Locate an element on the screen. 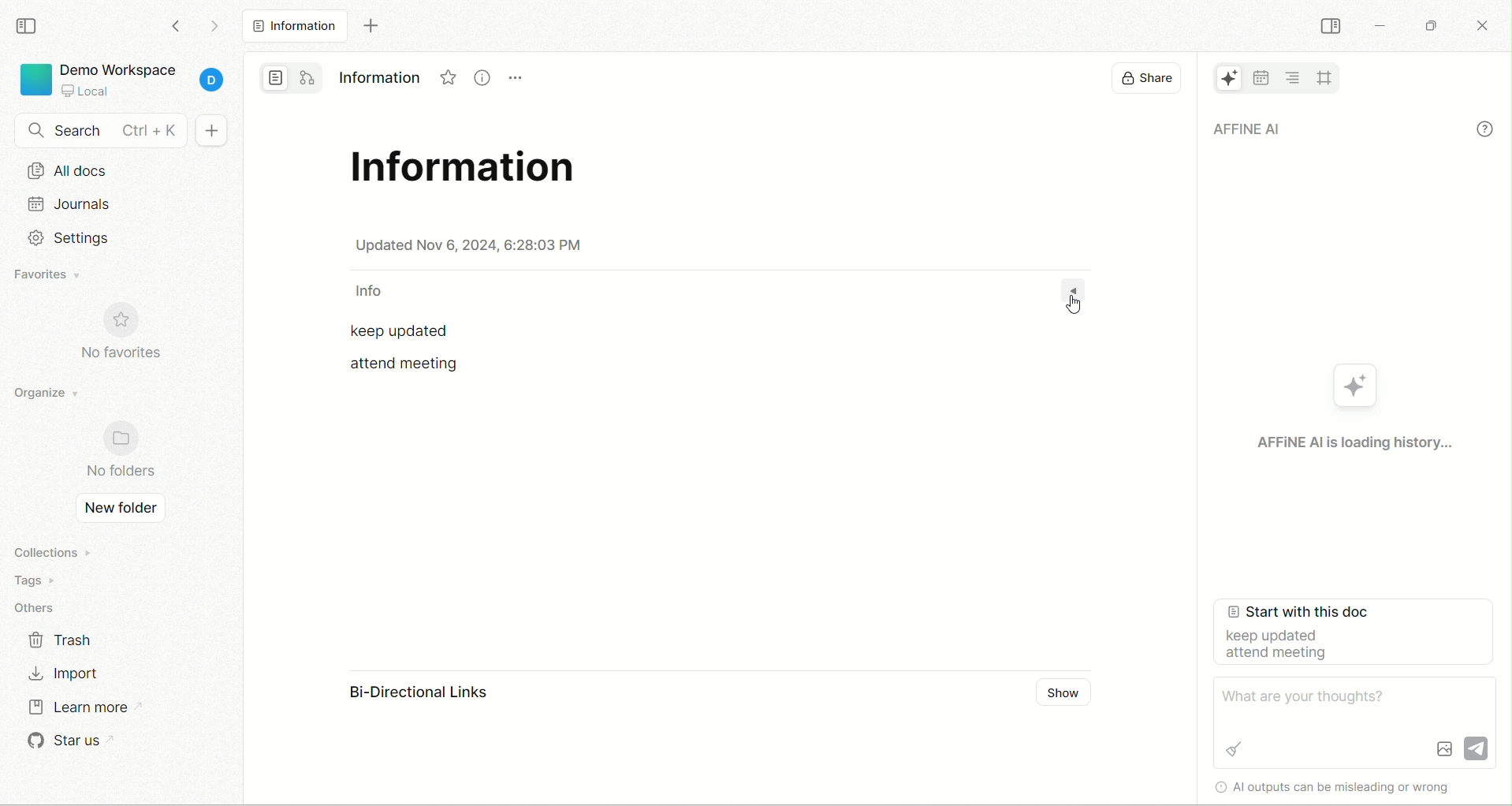  + is located at coordinates (217, 129).